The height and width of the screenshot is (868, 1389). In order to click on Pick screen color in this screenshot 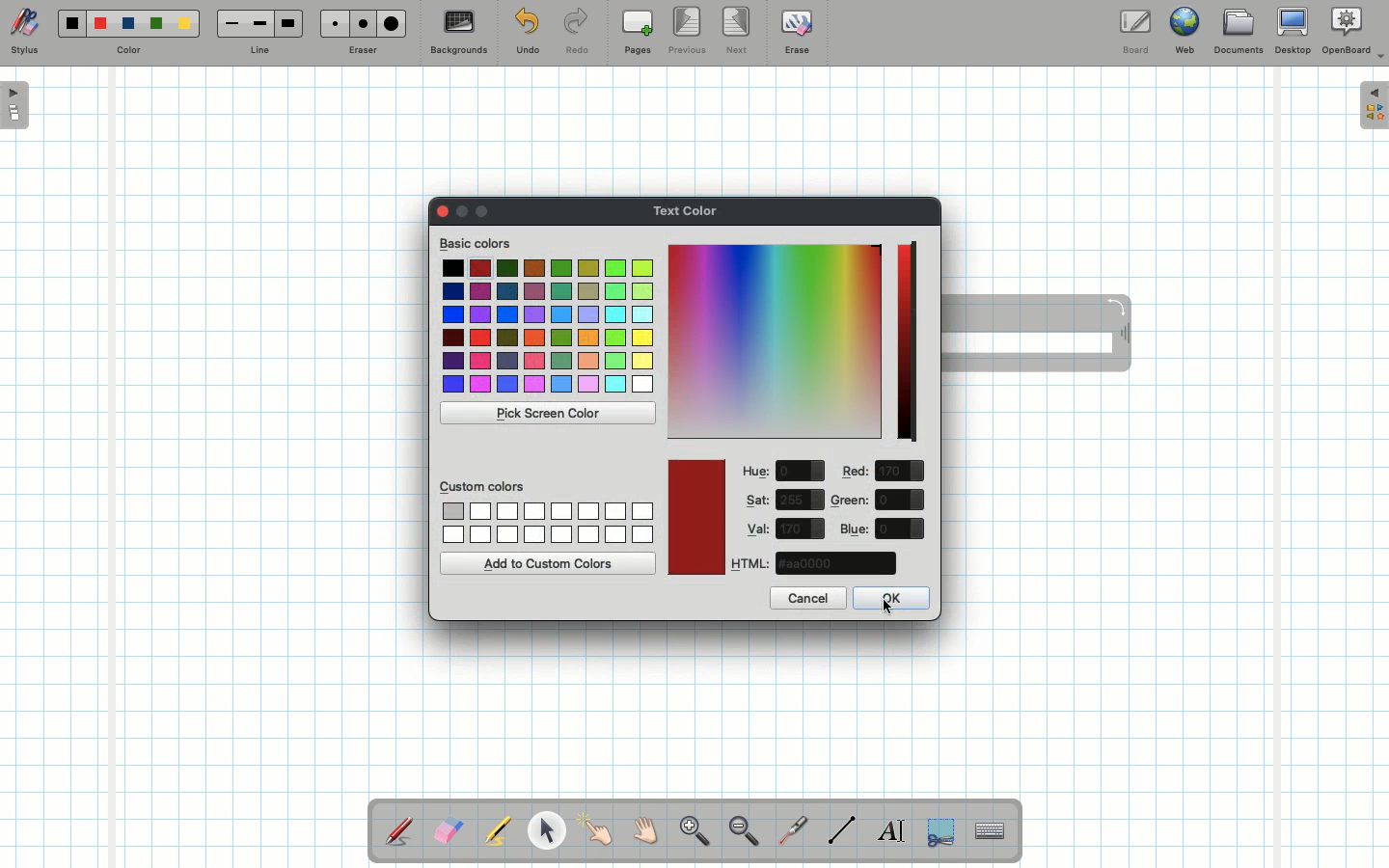, I will do `click(549, 414)`.